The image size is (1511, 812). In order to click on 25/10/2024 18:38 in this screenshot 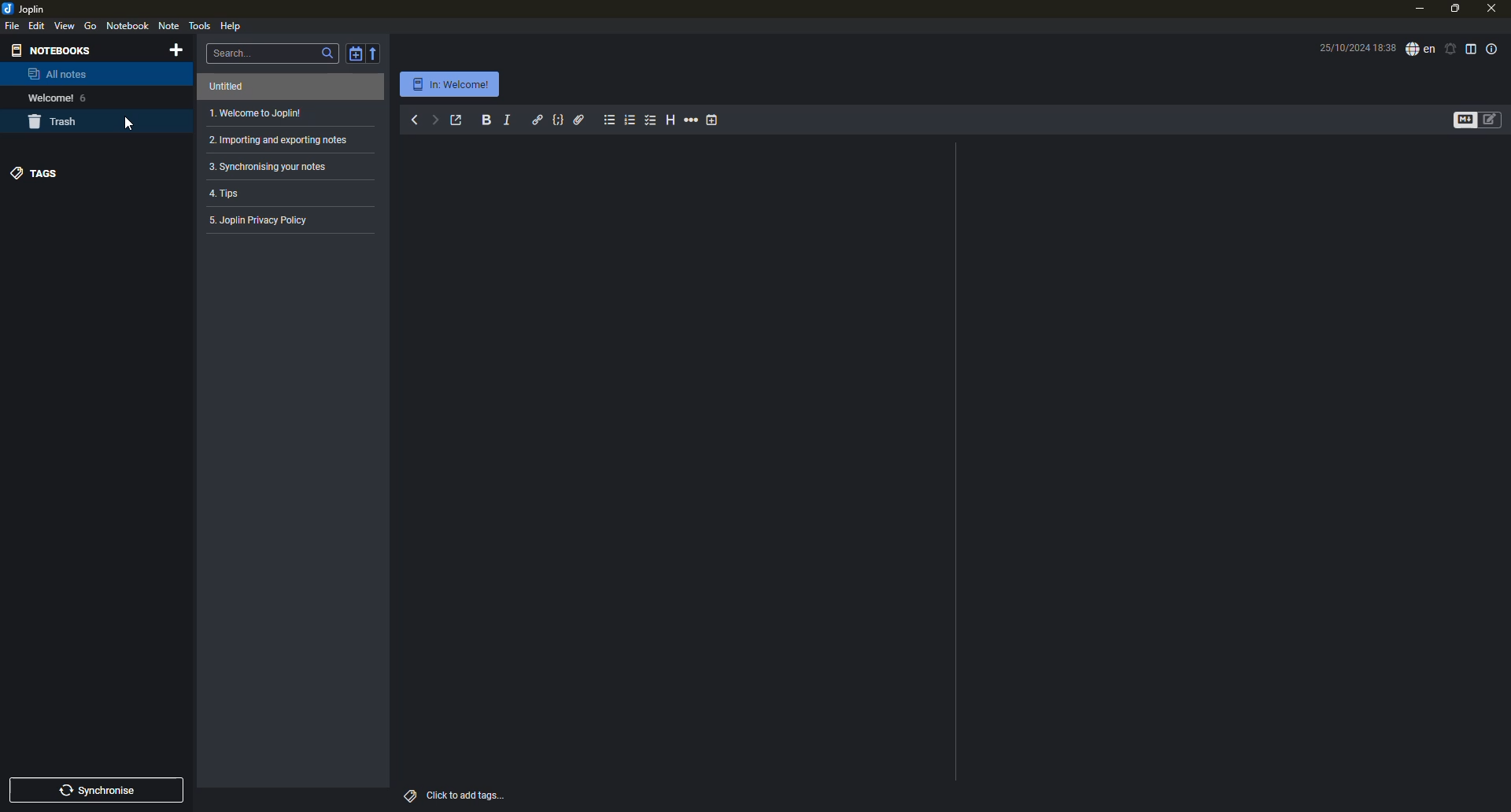, I will do `click(1356, 48)`.